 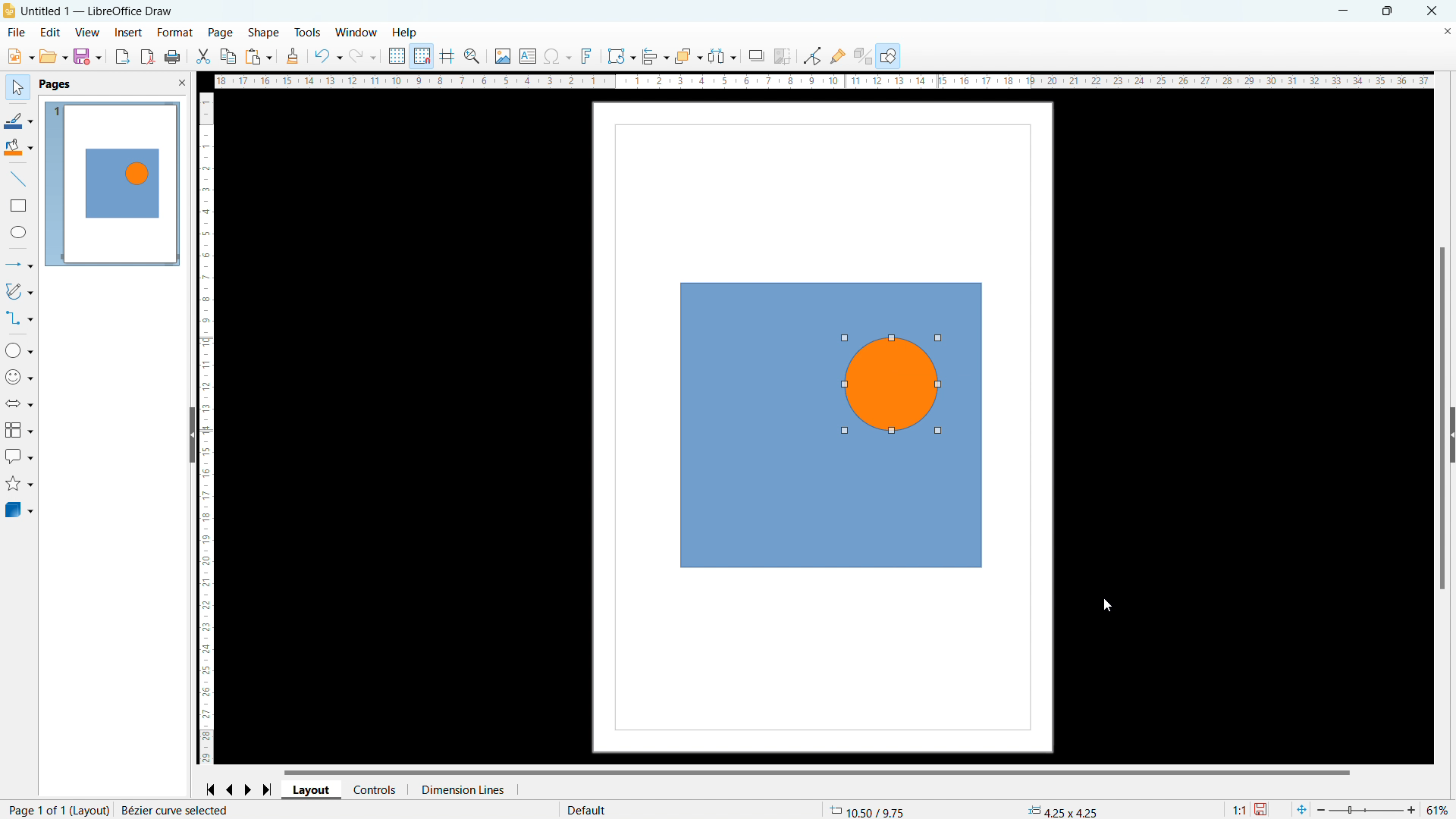 What do you see at coordinates (59, 808) in the screenshot?
I see `page 1 of 1 (Layout)` at bounding box center [59, 808].